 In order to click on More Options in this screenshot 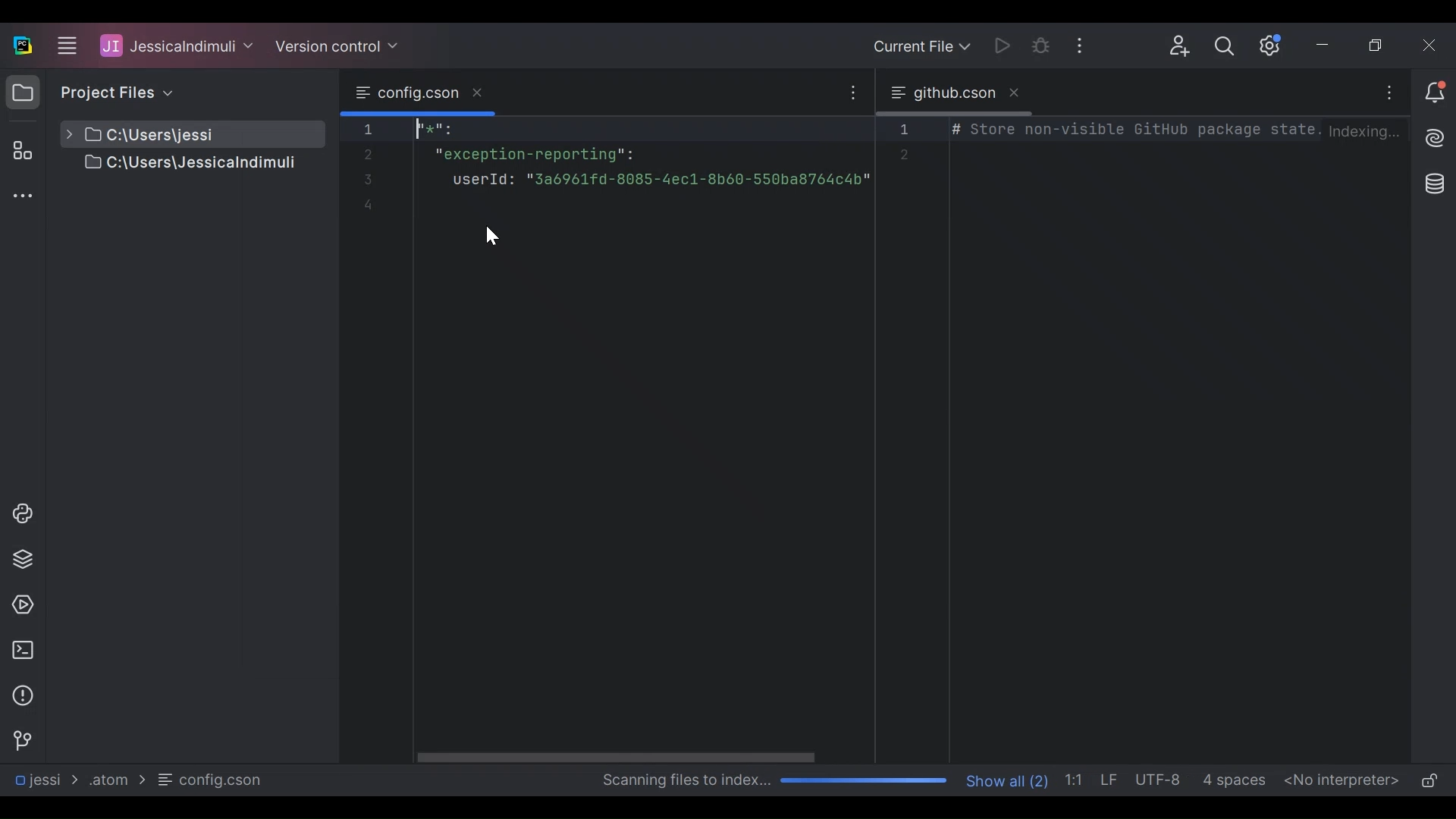, I will do `click(1082, 45)`.